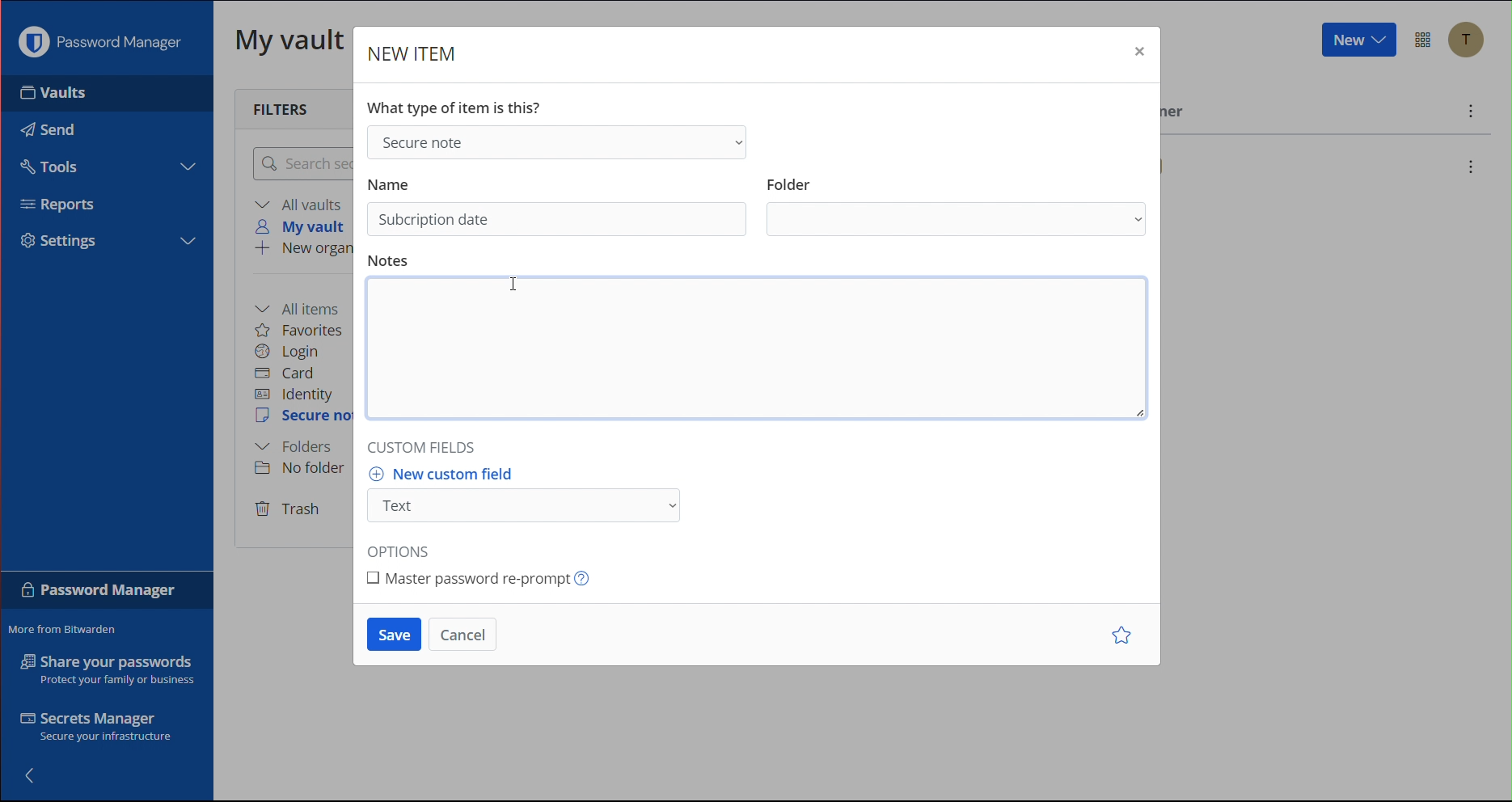 The height and width of the screenshot is (802, 1512). I want to click on Folder, so click(959, 221).